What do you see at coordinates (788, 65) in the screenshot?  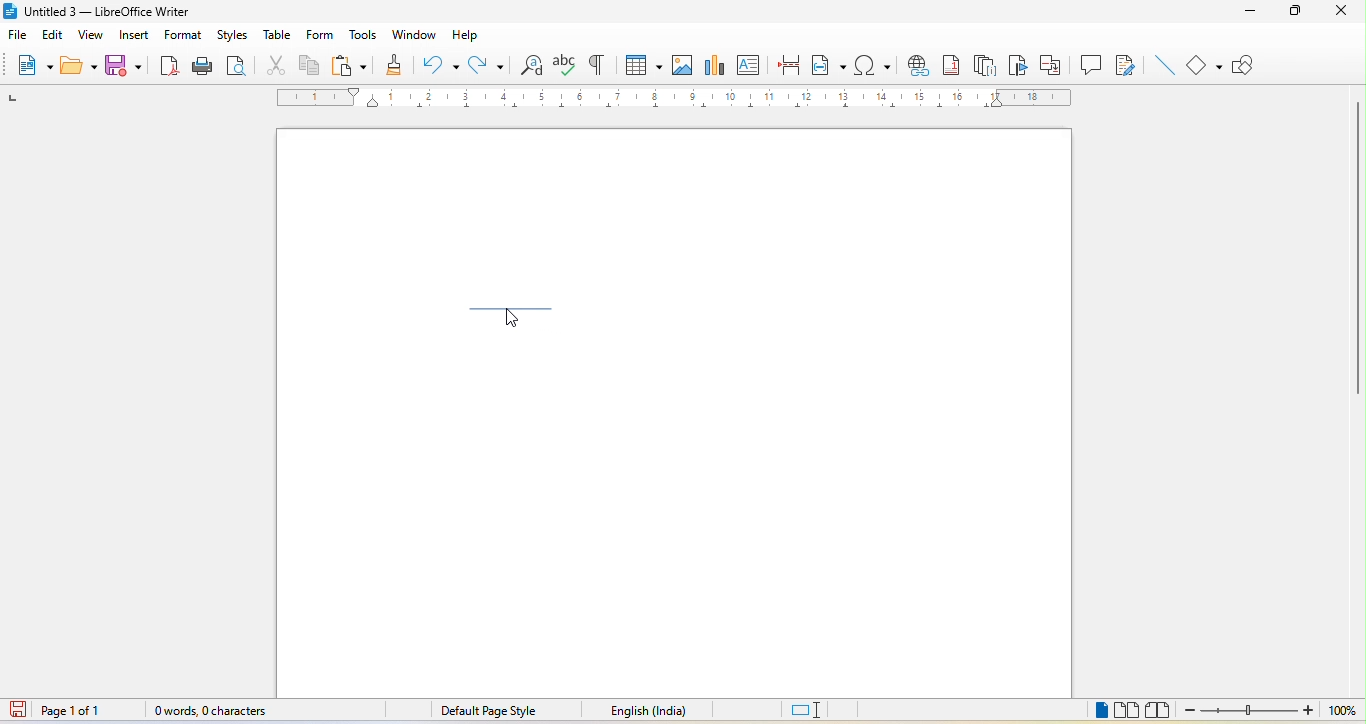 I see `page break` at bounding box center [788, 65].